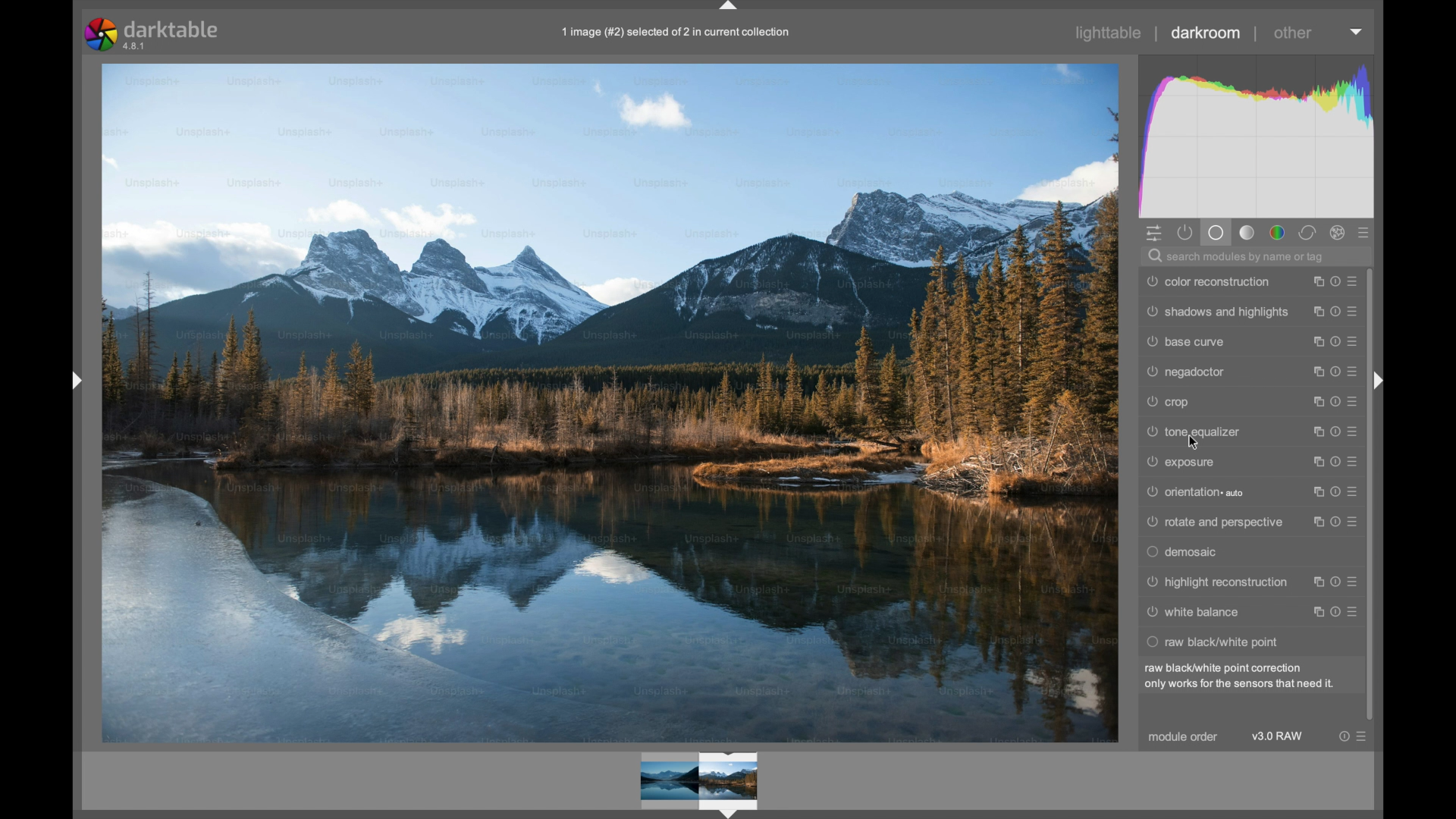 This screenshot has height=819, width=1456. Describe the element at coordinates (1359, 460) in the screenshot. I see `presets` at that location.